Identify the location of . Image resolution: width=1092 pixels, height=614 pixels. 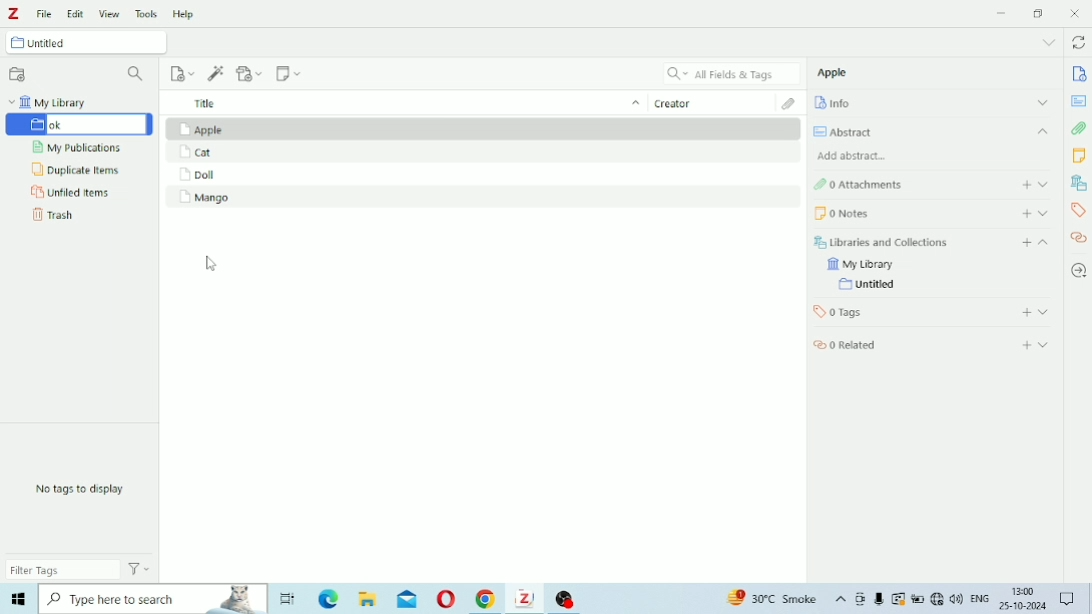
(878, 599).